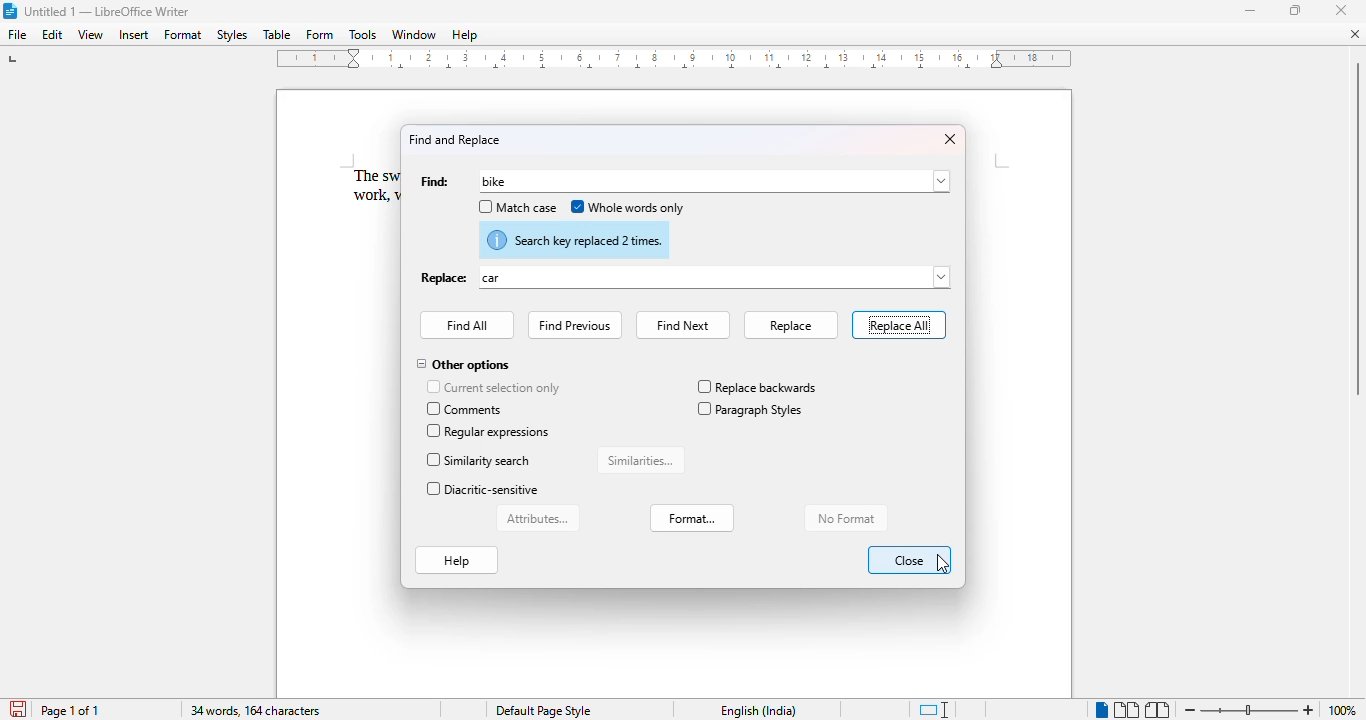 This screenshot has height=720, width=1366. What do you see at coordinates (464, 35) in the screenshot?
I see `help` at bounding box center [464, 35].